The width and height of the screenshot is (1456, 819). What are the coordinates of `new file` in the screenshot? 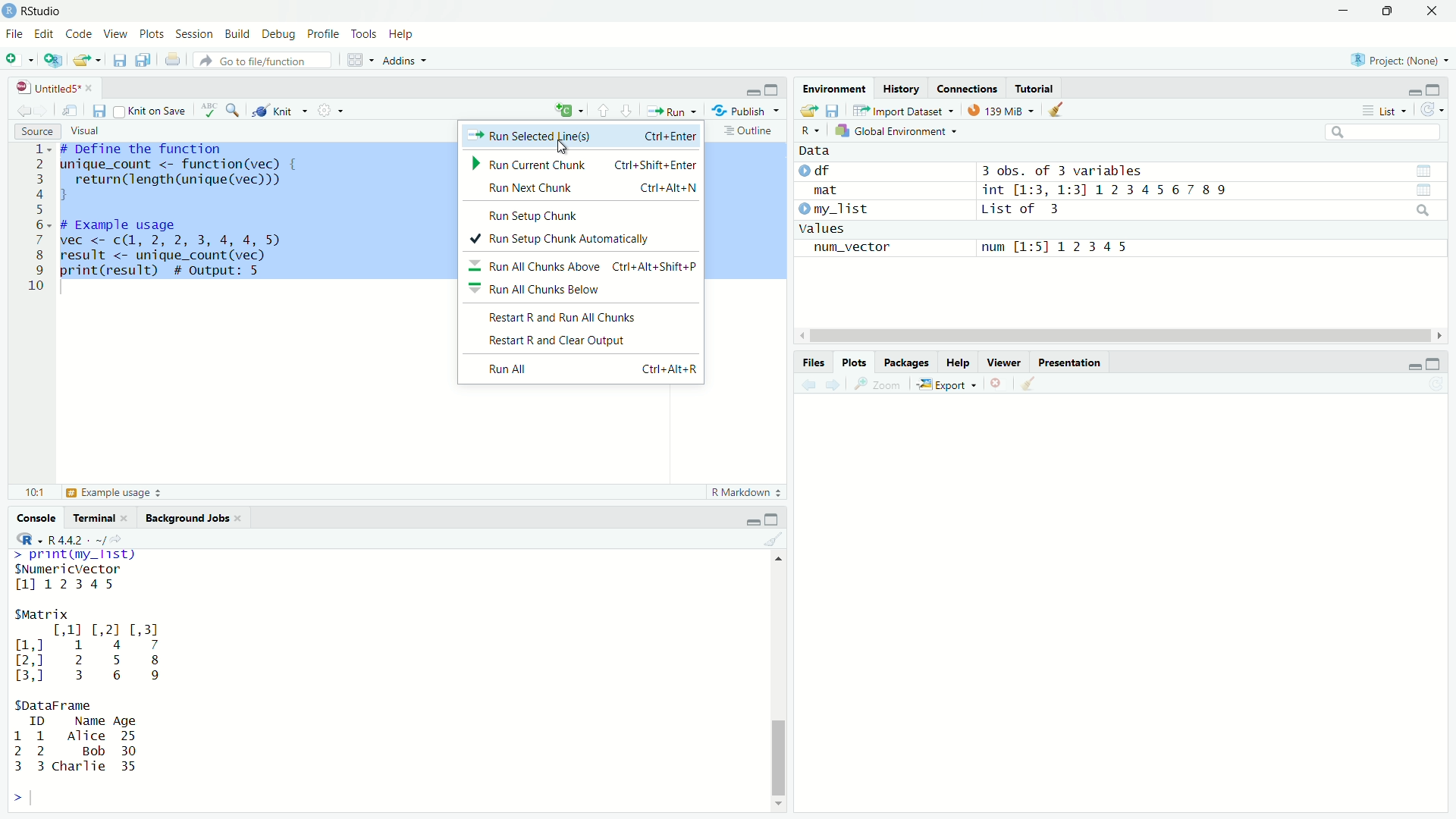 It's located at (13, 58).